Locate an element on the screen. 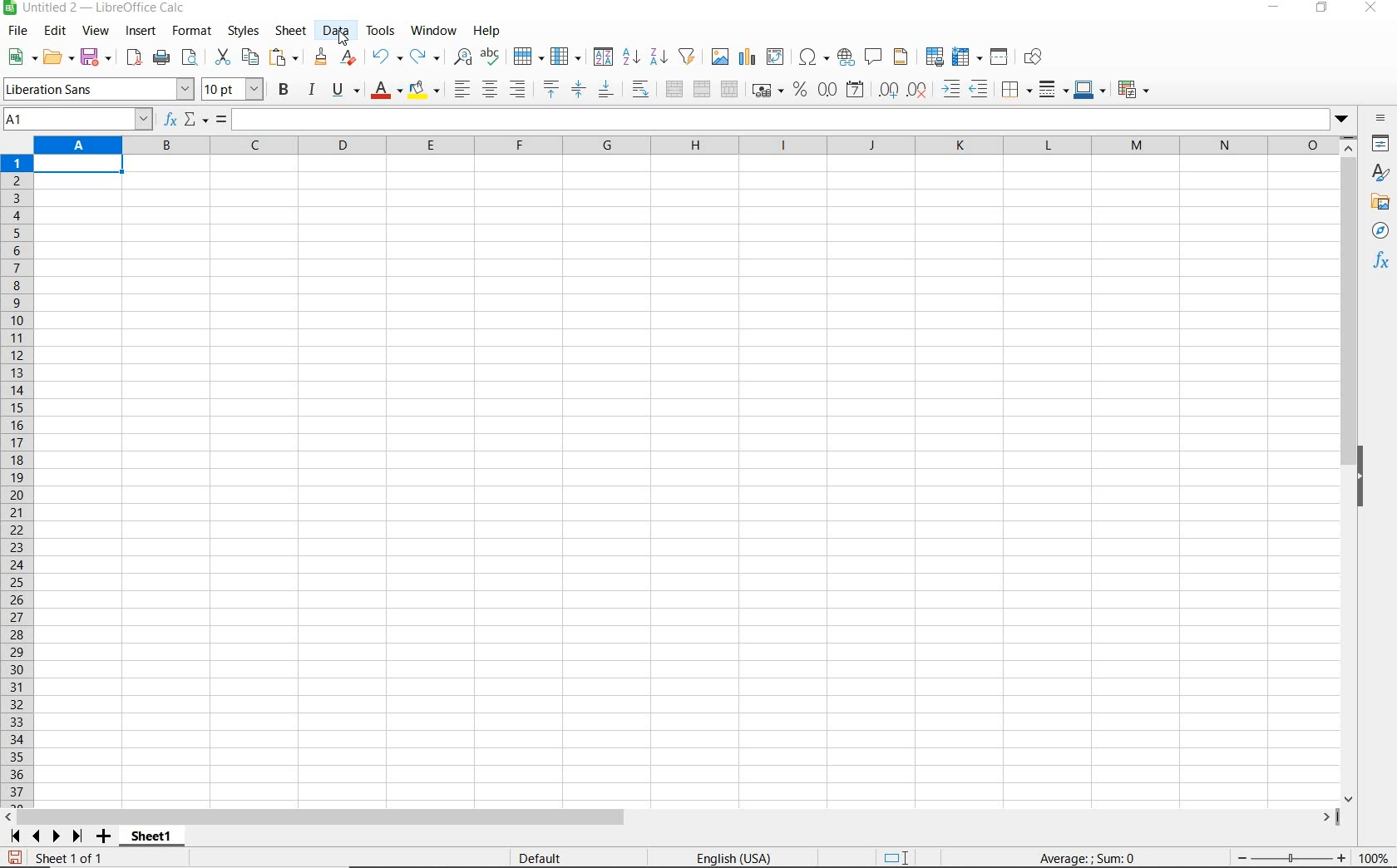 This screenshot has width=1397, height=868. functions is located at coordinates (1380, 259).